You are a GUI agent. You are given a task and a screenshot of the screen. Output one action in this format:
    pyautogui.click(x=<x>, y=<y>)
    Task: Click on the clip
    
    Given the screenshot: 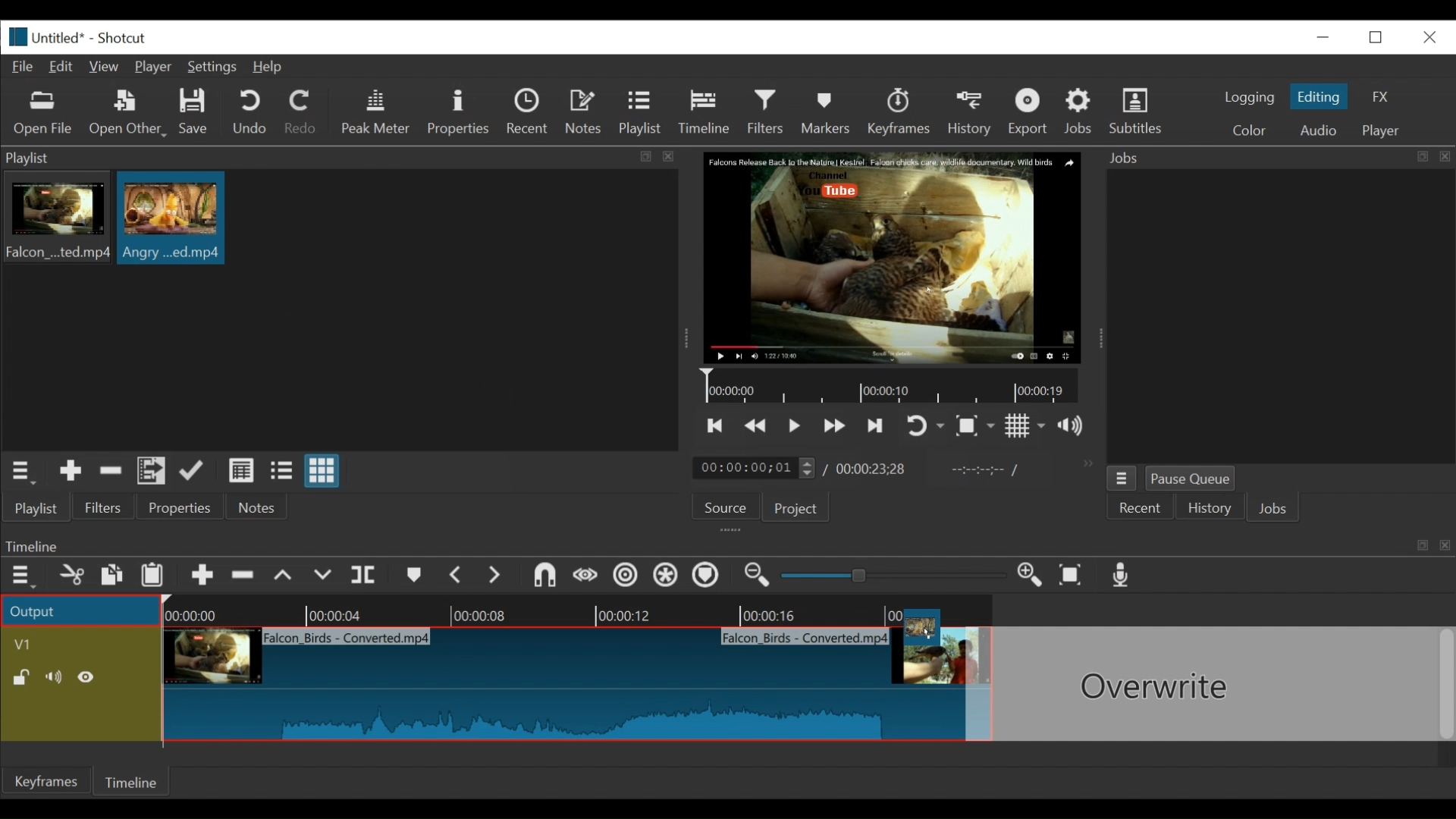 What is the action you would take?
    pyautogui.click(x=171, y=218)
    